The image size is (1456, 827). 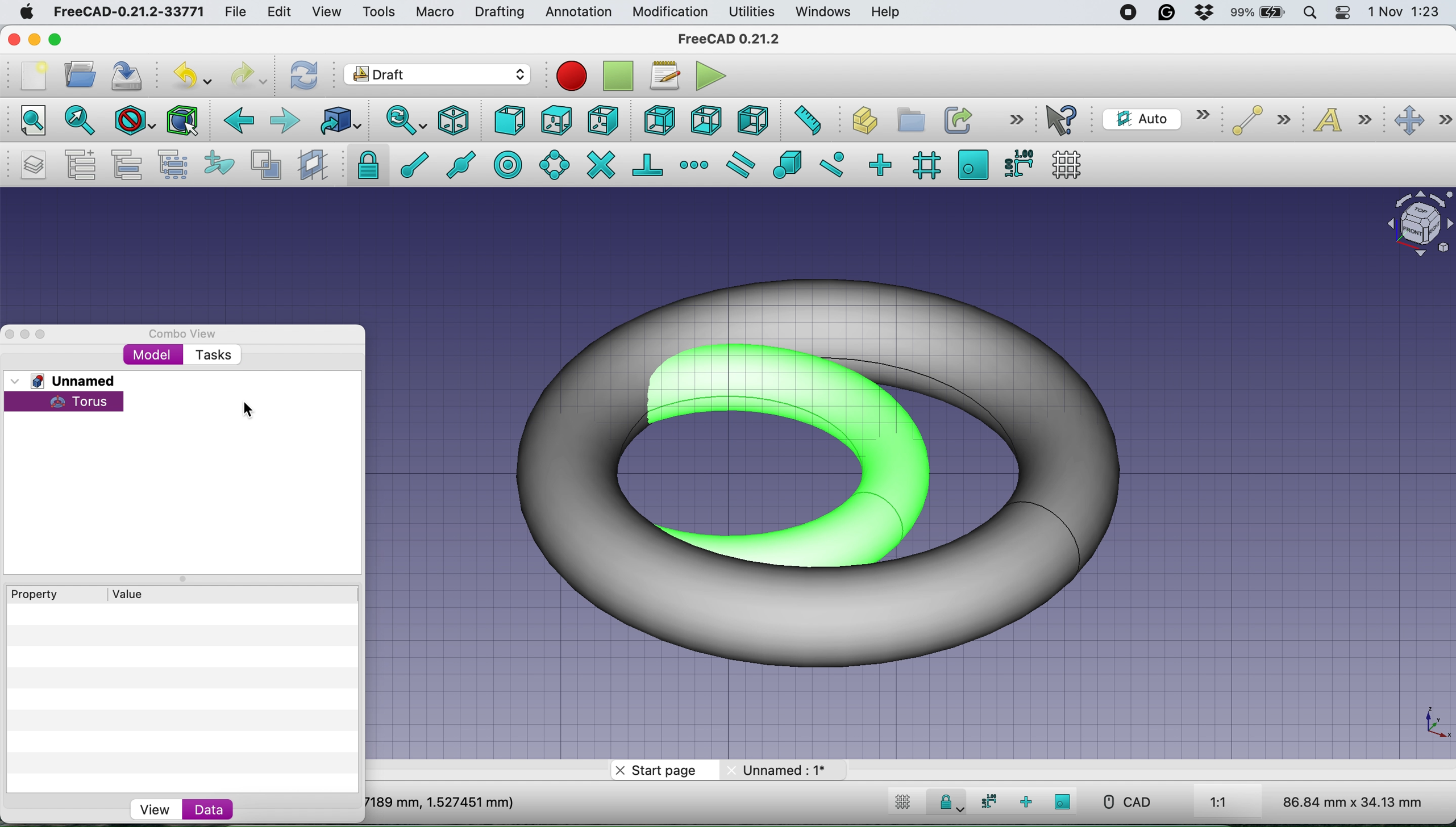 What do you see at coordinates (1354, 801) in the screenshot?
I see `86.84 mm x 34.13 mm` at bounding box center [1354, 801].